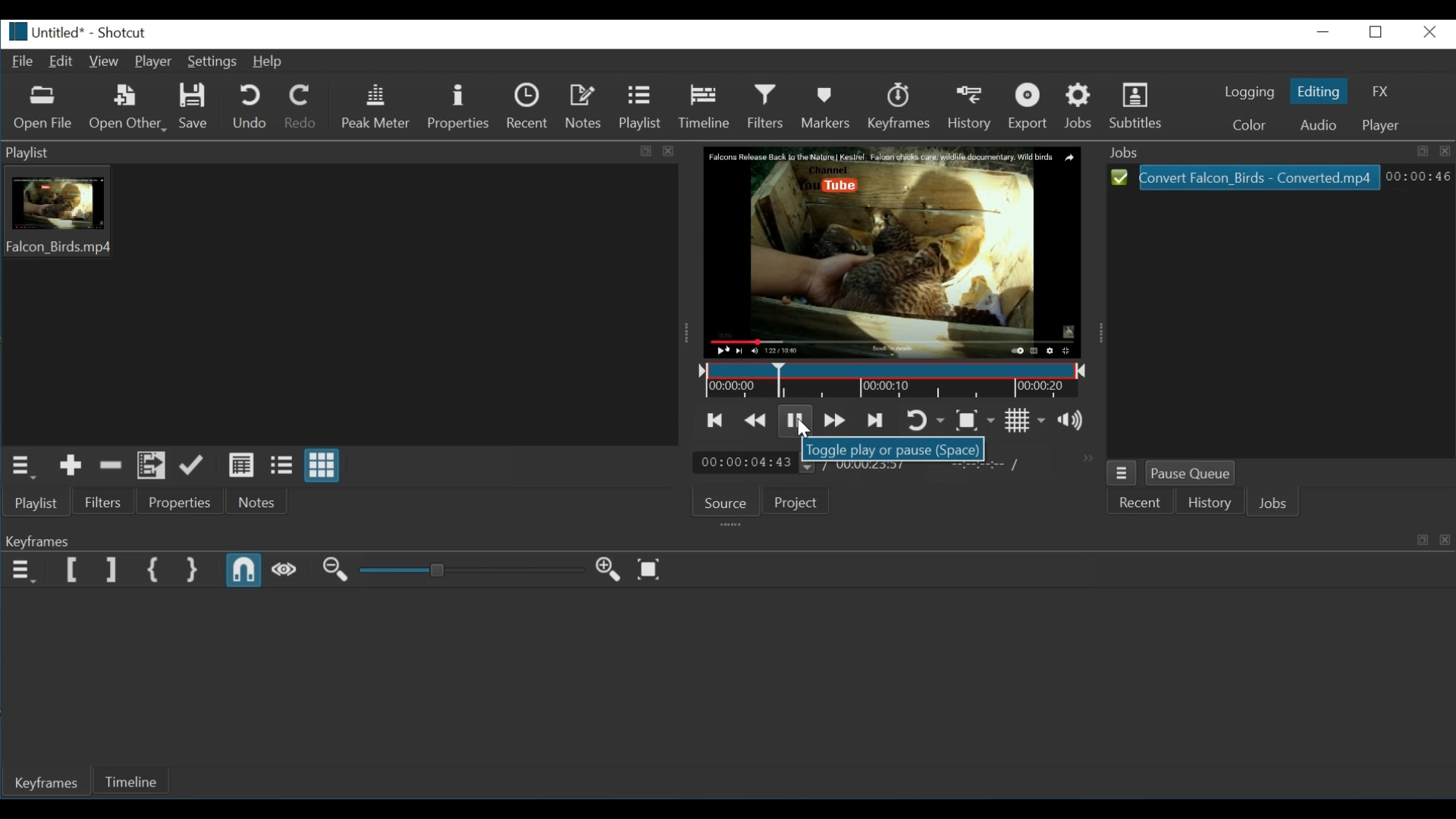  I want to click on Filters, so click(103, 502).